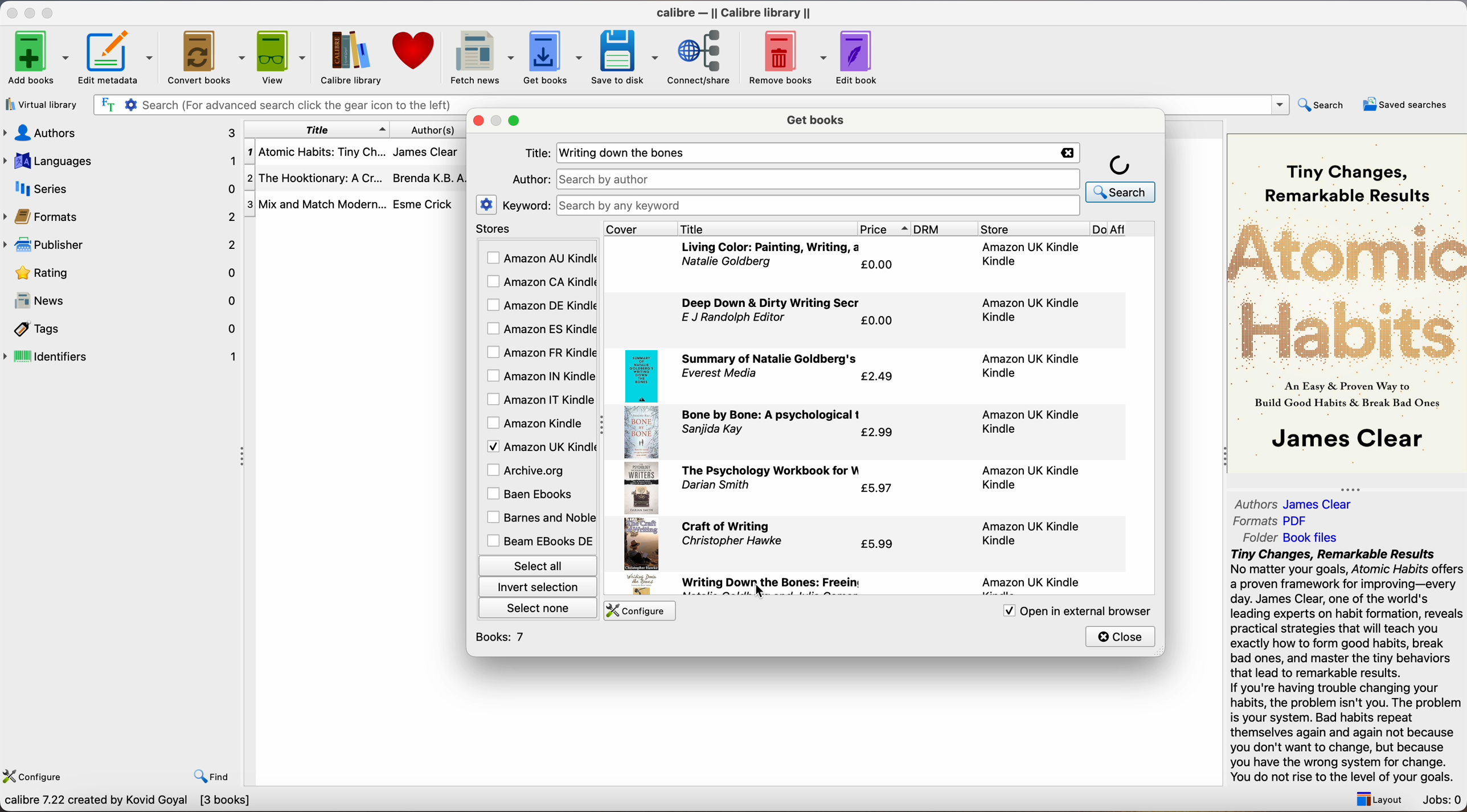 The height and width of the screenshot is (812, 1467). What do you see at coordinates (315, 180) in the screenshot?
I see `The Hooktionary: A Cr...` at bounding box center [315, 180].